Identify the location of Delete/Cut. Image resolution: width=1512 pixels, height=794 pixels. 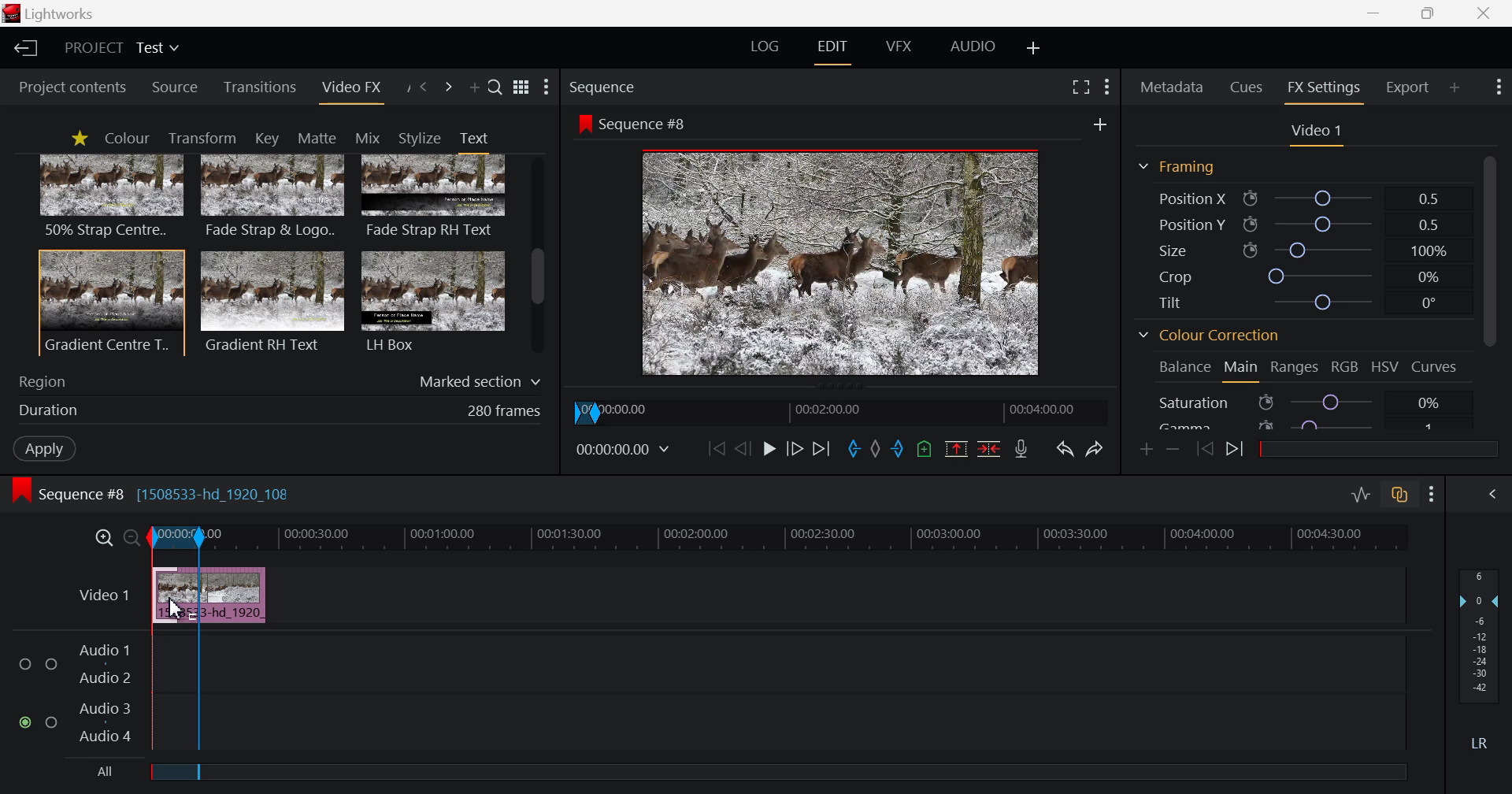
(989, 451).